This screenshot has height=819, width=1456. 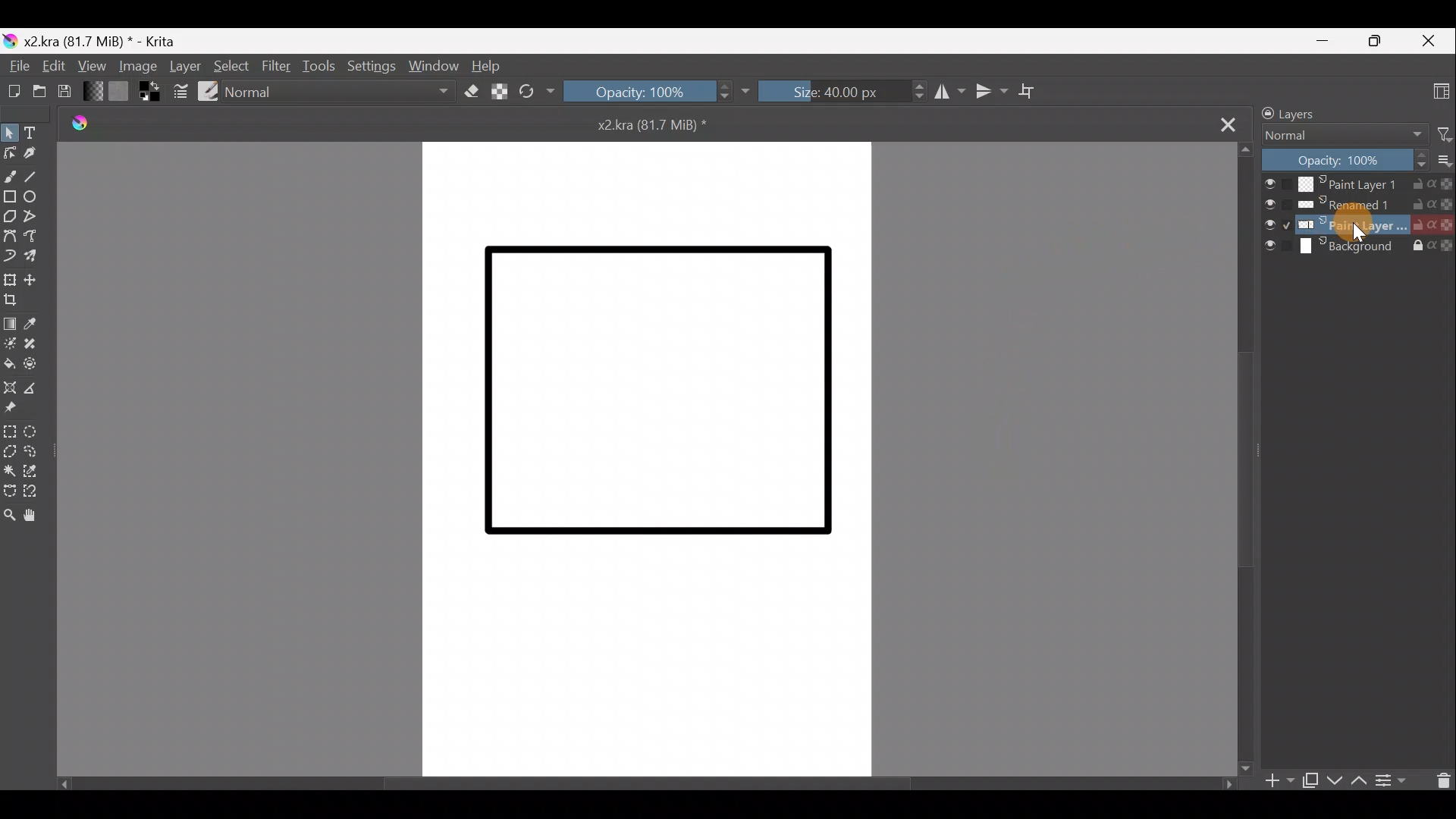 I want to click on Help, so click(x=488, y=63).